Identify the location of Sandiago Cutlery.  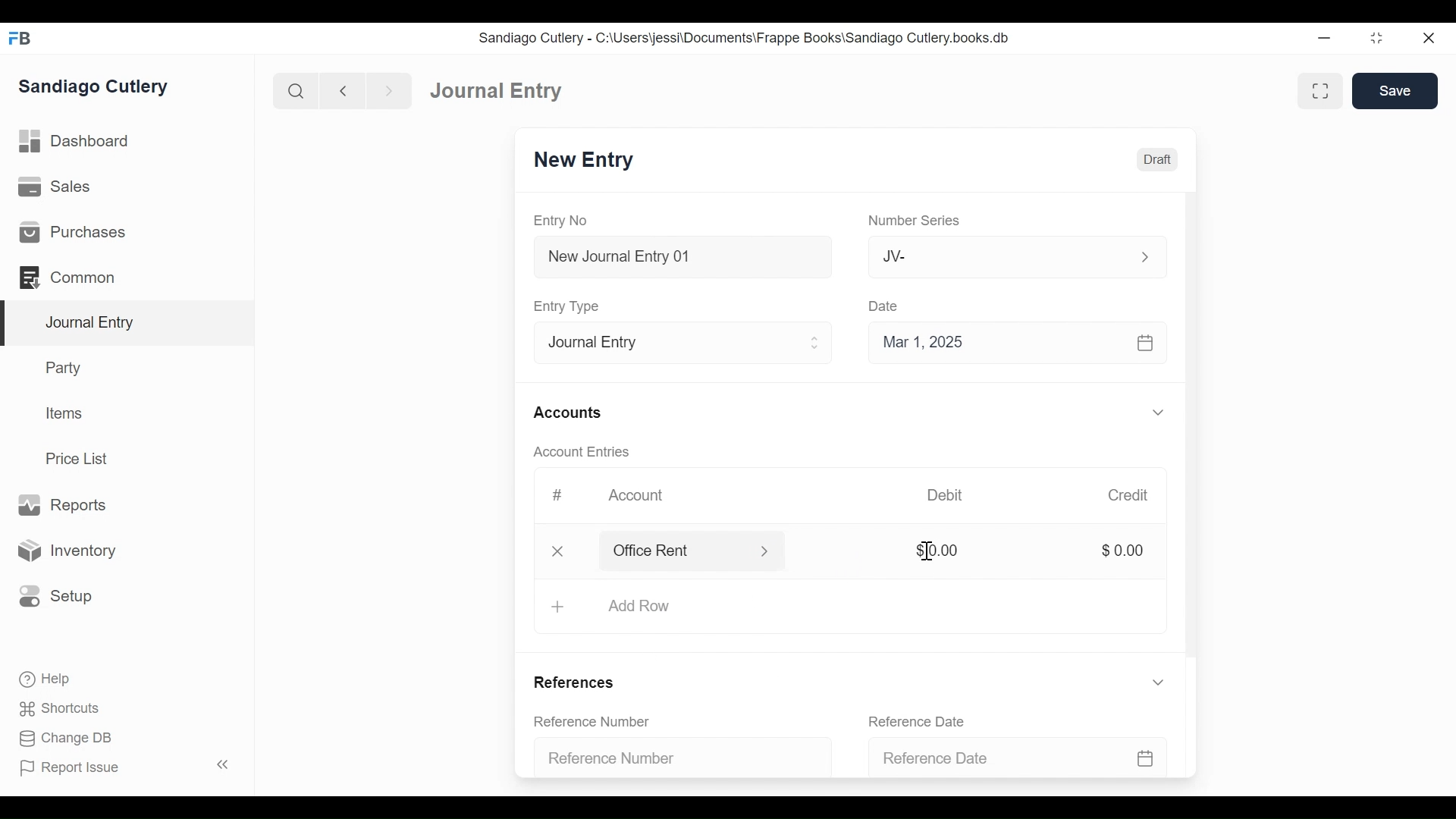
(102, 88).